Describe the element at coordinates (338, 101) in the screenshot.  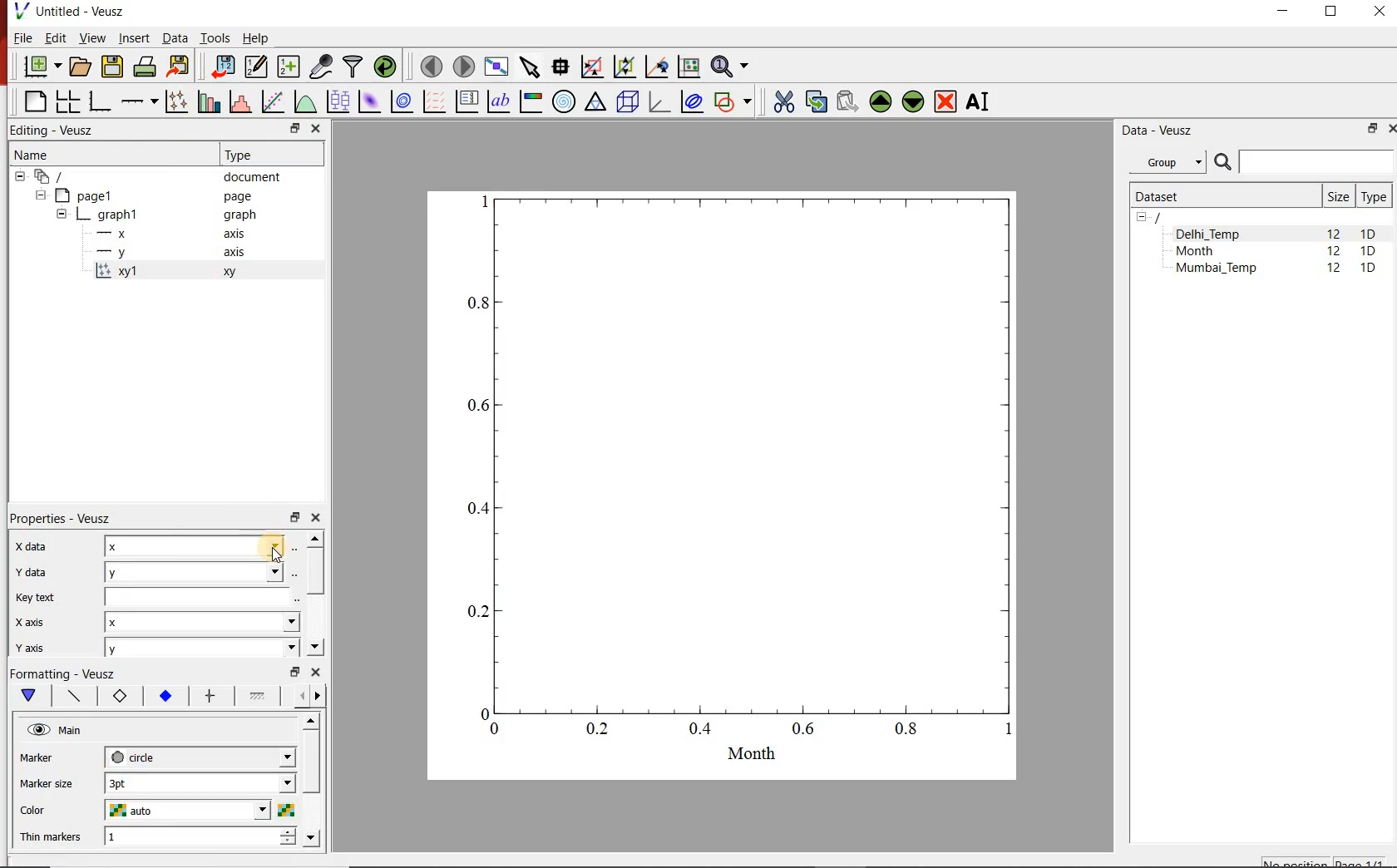
I see `plot box plots` at that location.